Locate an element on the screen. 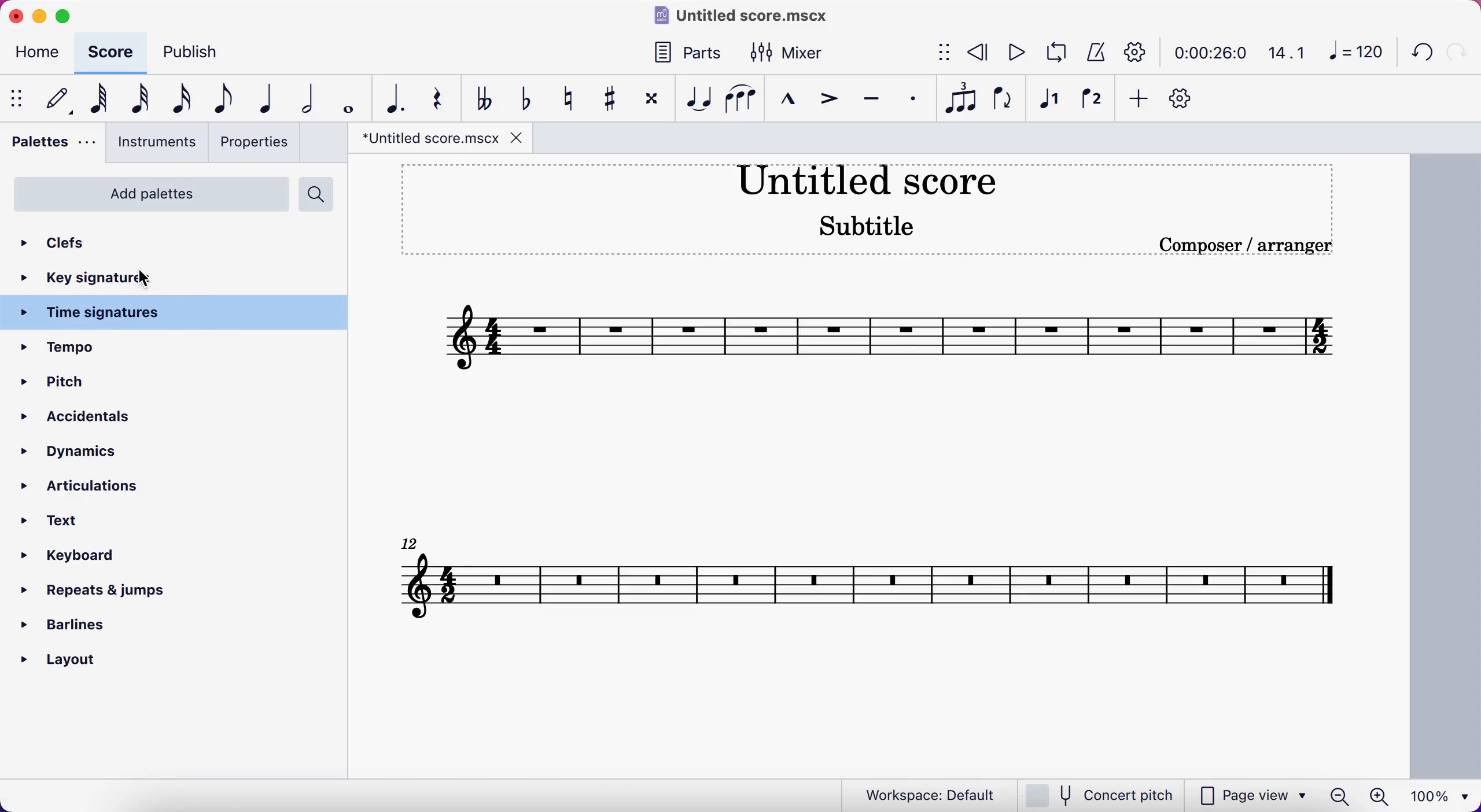 The width and height of the screenshot is (1481, 812). mixer is located at coordinates (795, 55).